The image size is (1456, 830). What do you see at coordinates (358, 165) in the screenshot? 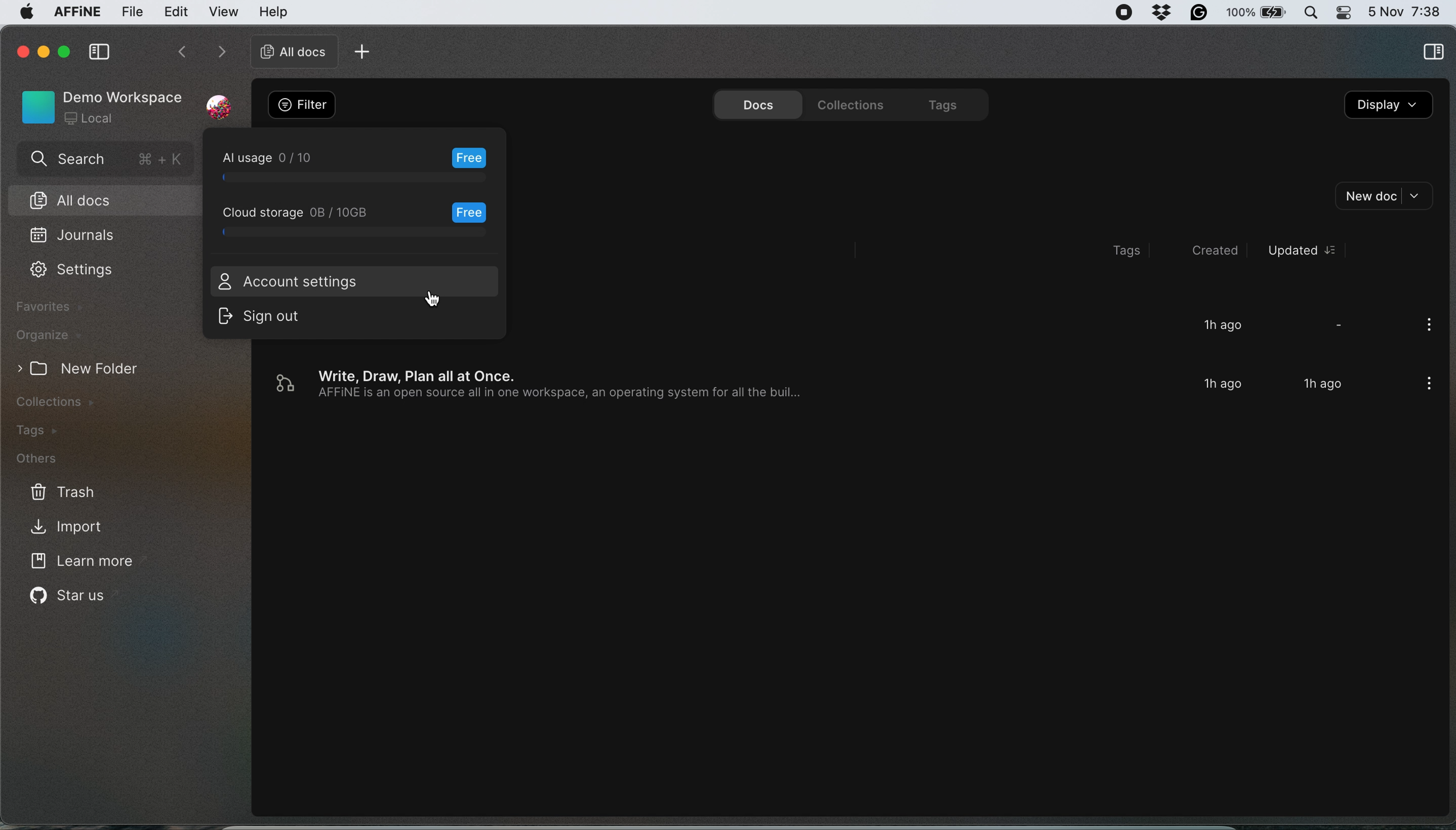
I see `ai usage` at bounding box center [358, 165].